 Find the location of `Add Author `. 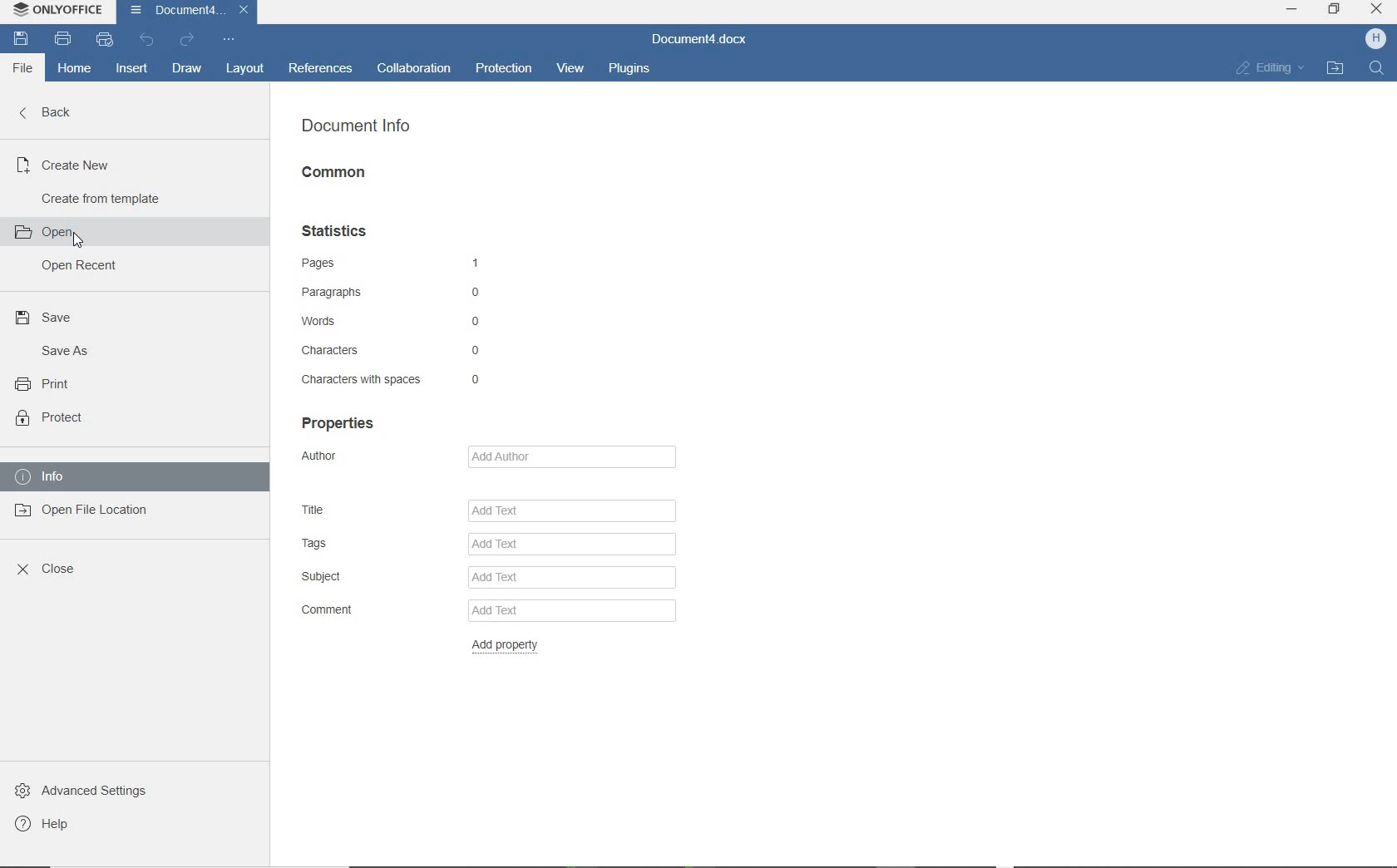

Add Author  is located at coordinates (580, 455).